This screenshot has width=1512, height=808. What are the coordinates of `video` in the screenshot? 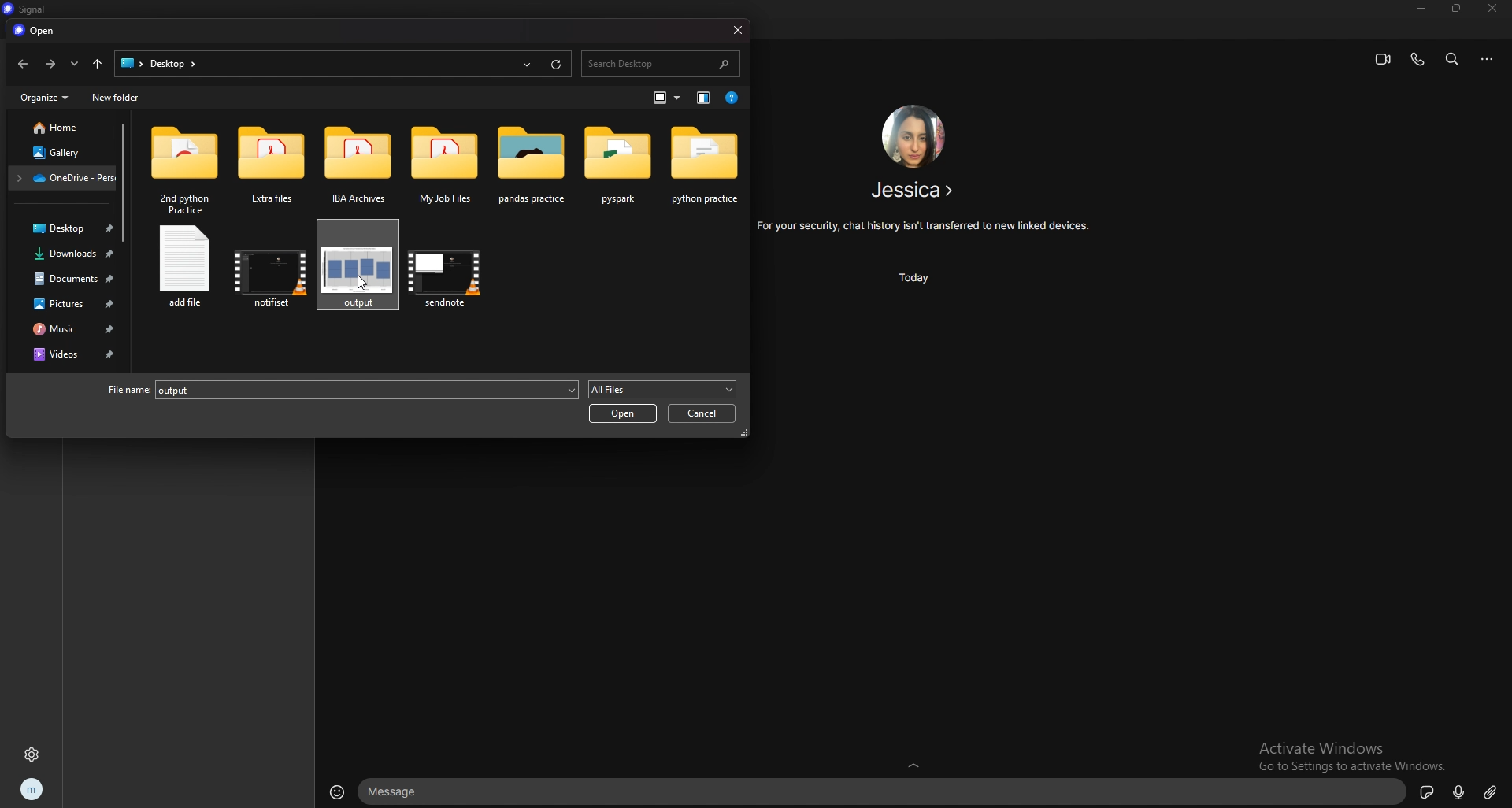 It's located at (269, 276).